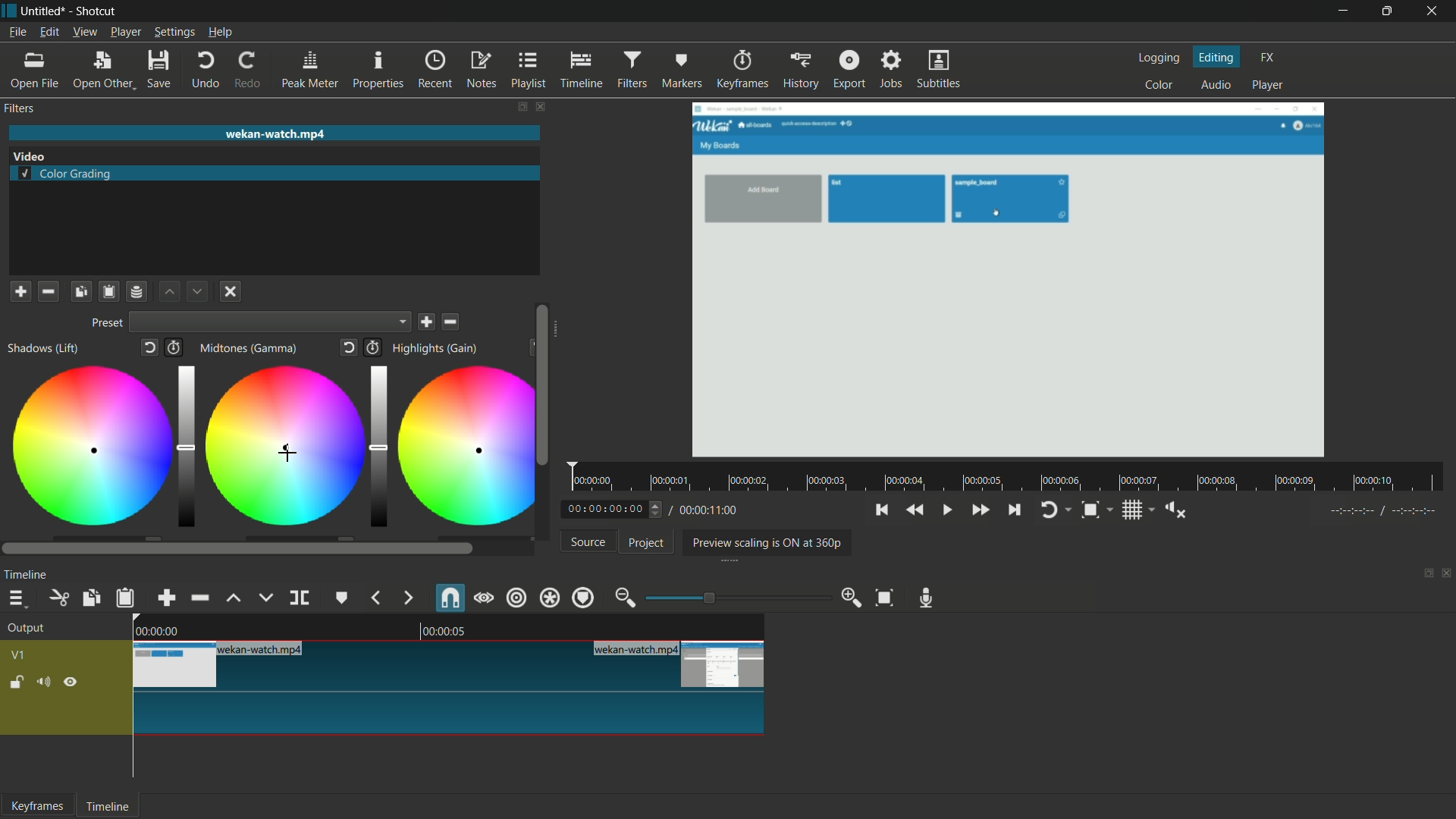  Describe the element at coordinates (275, 133) in the screenshot. I see `imported file name` at that location.